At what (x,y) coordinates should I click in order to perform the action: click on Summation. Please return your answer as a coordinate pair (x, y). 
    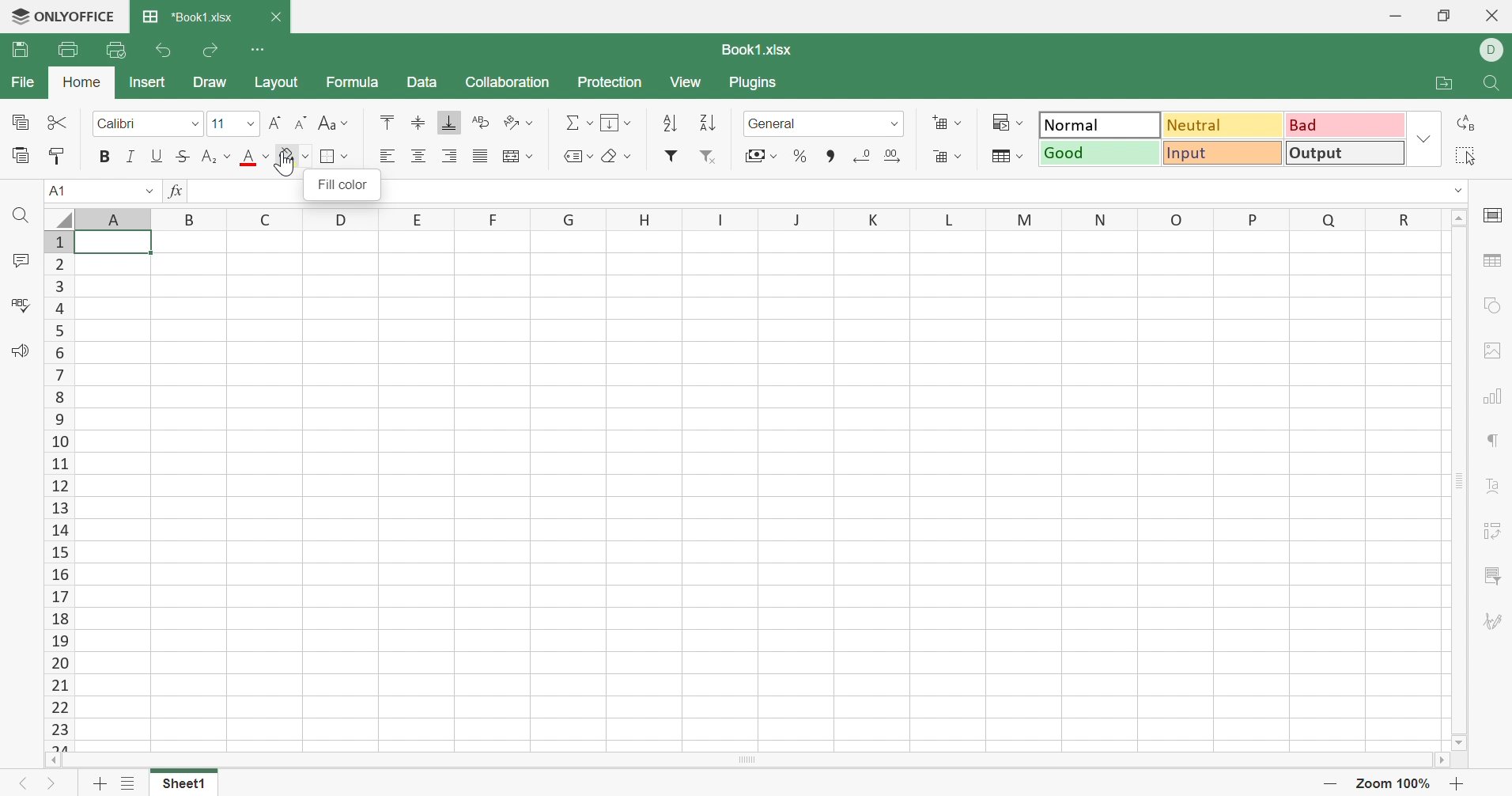
    Looking at the image, I should click on (576, 123).